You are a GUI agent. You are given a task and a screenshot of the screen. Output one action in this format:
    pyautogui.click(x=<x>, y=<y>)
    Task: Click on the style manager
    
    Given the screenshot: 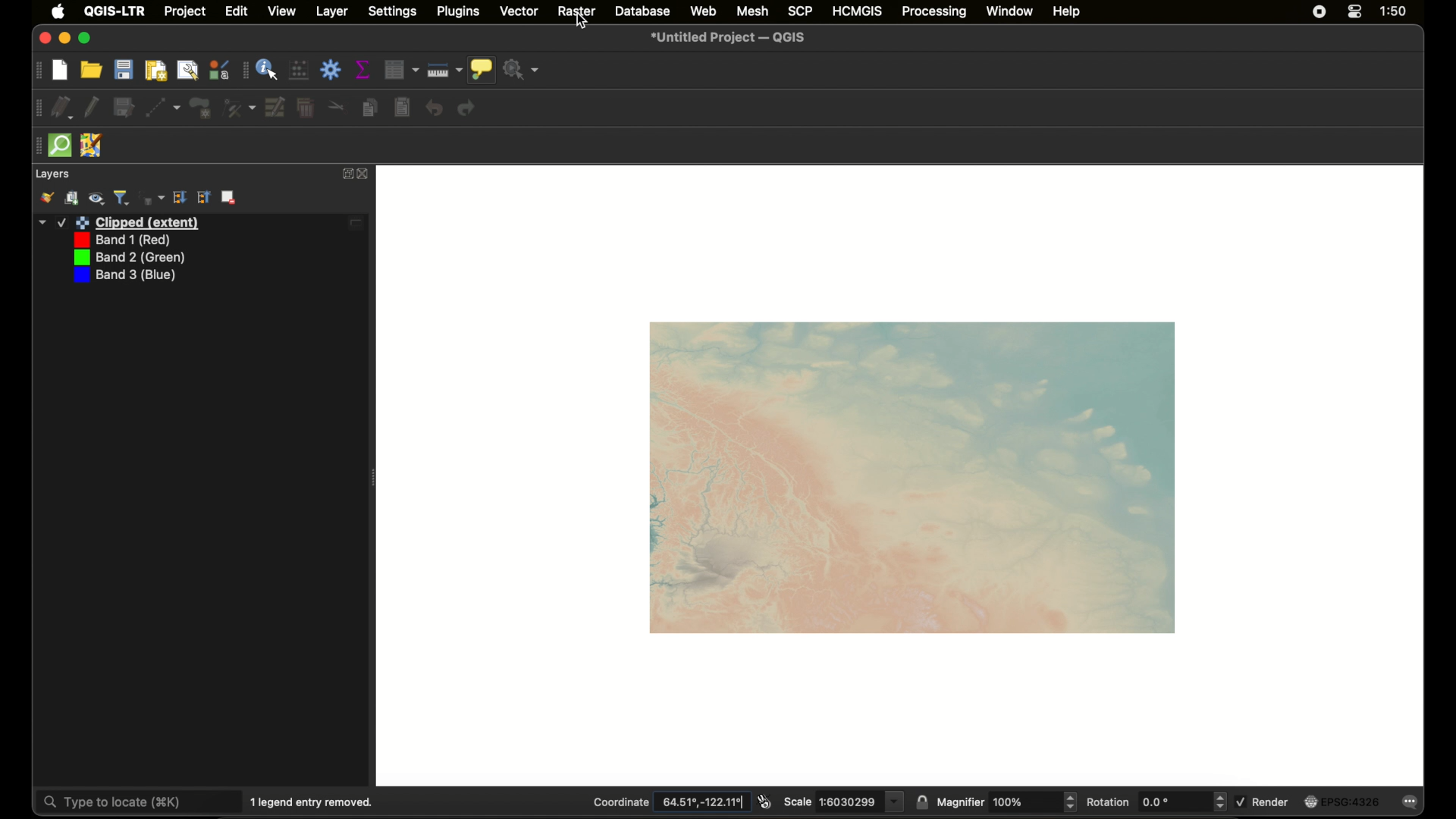 What is the action you would take?
    pyautogui.click(x=220, y=70)
    